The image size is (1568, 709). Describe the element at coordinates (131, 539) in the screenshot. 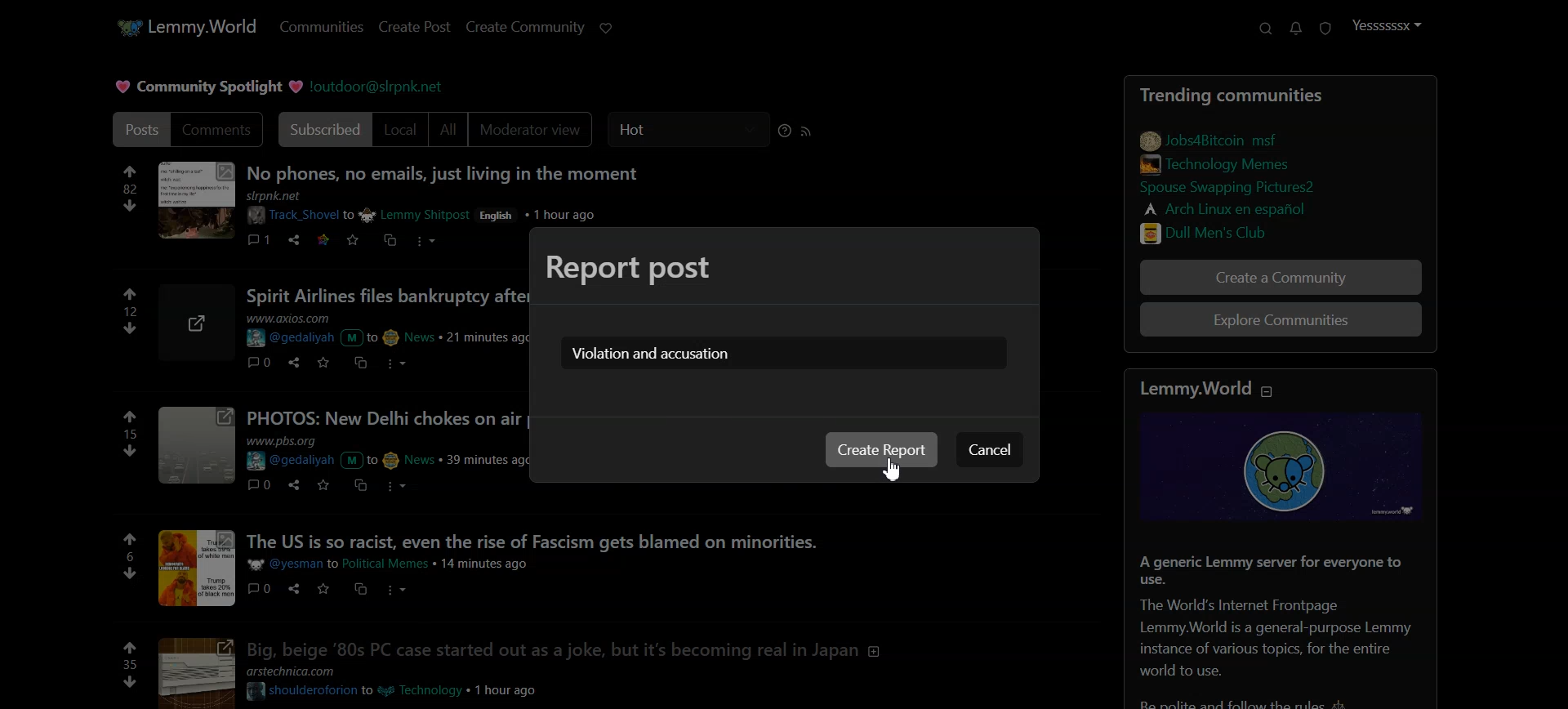

I see `upvote` at that location.